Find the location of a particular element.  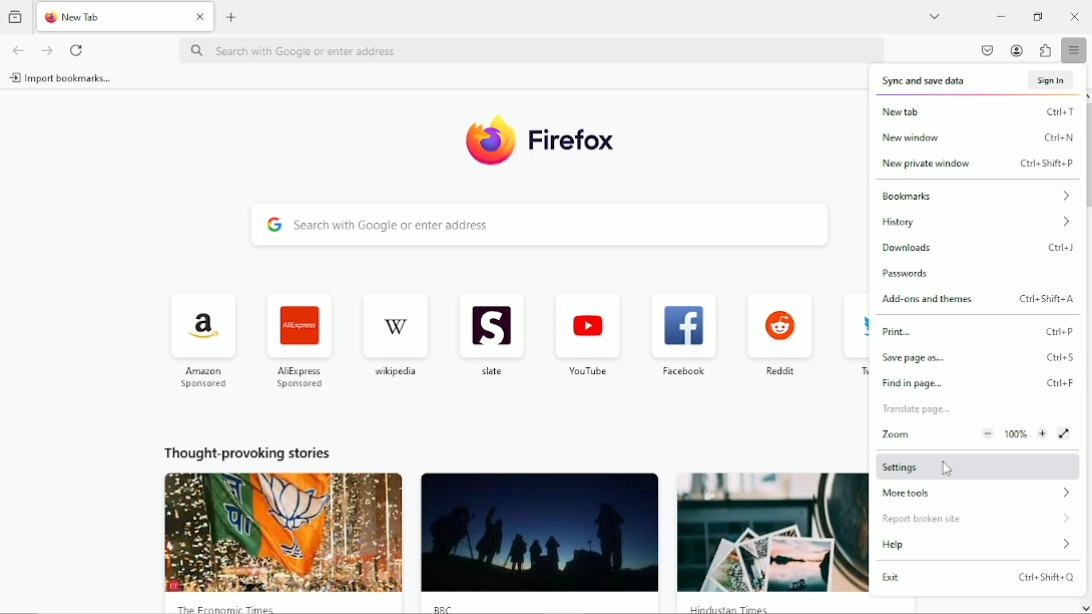

slate is located at coordinates (489, 319).